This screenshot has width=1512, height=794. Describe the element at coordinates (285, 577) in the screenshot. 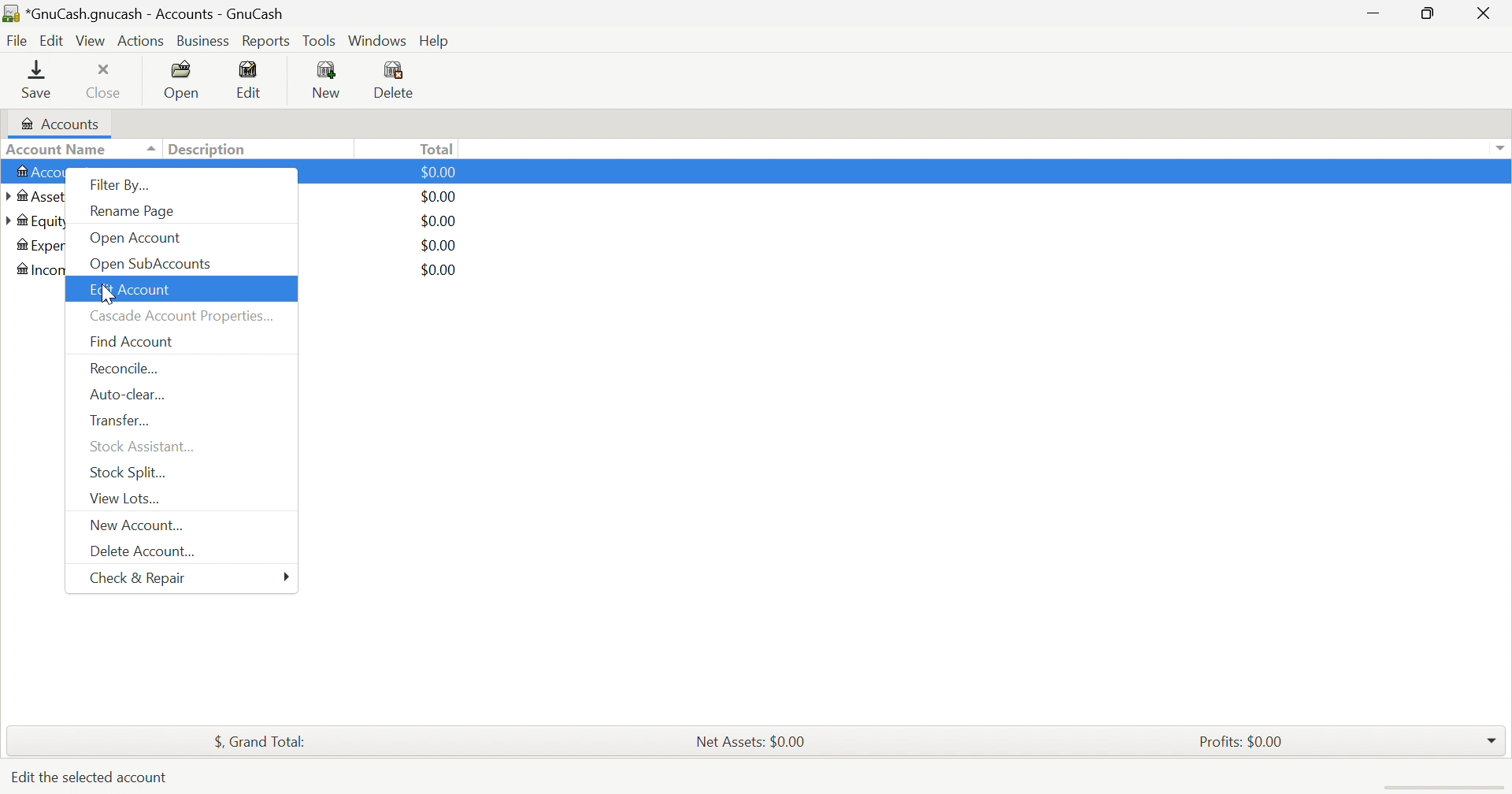

I see `More` at that location.